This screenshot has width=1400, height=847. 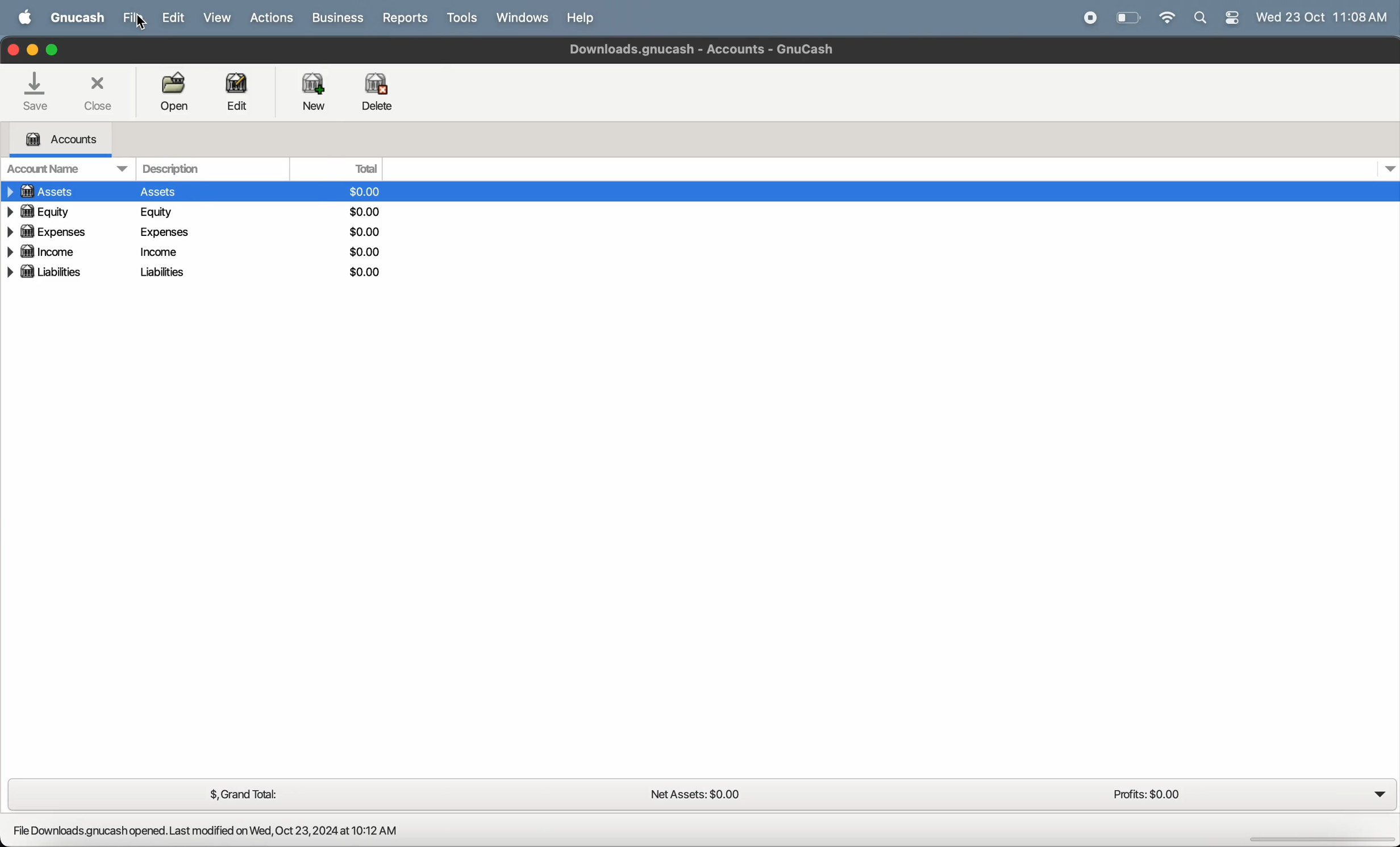 I want to click on dollars, so click(x=366, y=273).